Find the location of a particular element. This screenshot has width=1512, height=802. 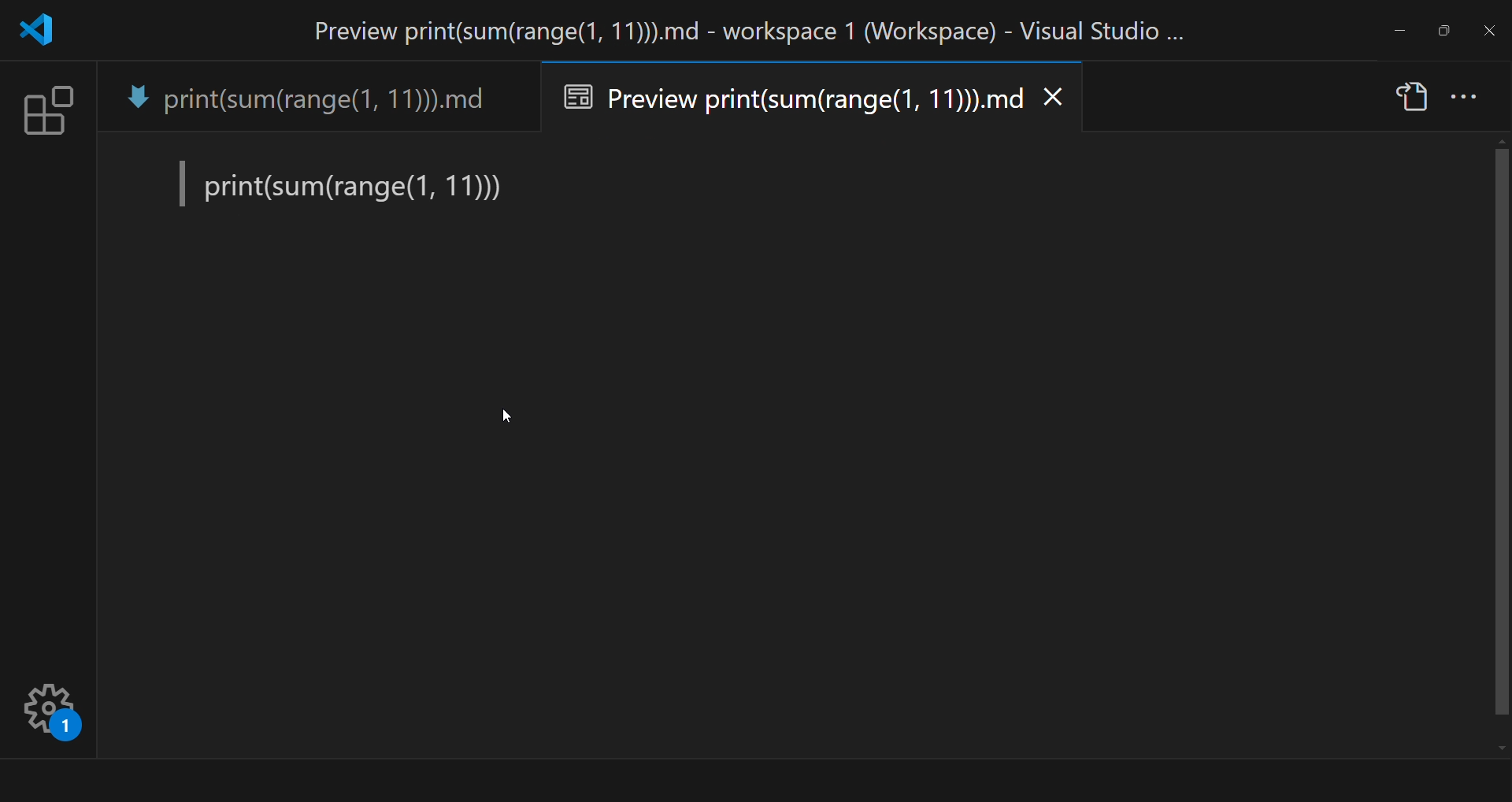

minimize is located at coordinates (1397, 35).